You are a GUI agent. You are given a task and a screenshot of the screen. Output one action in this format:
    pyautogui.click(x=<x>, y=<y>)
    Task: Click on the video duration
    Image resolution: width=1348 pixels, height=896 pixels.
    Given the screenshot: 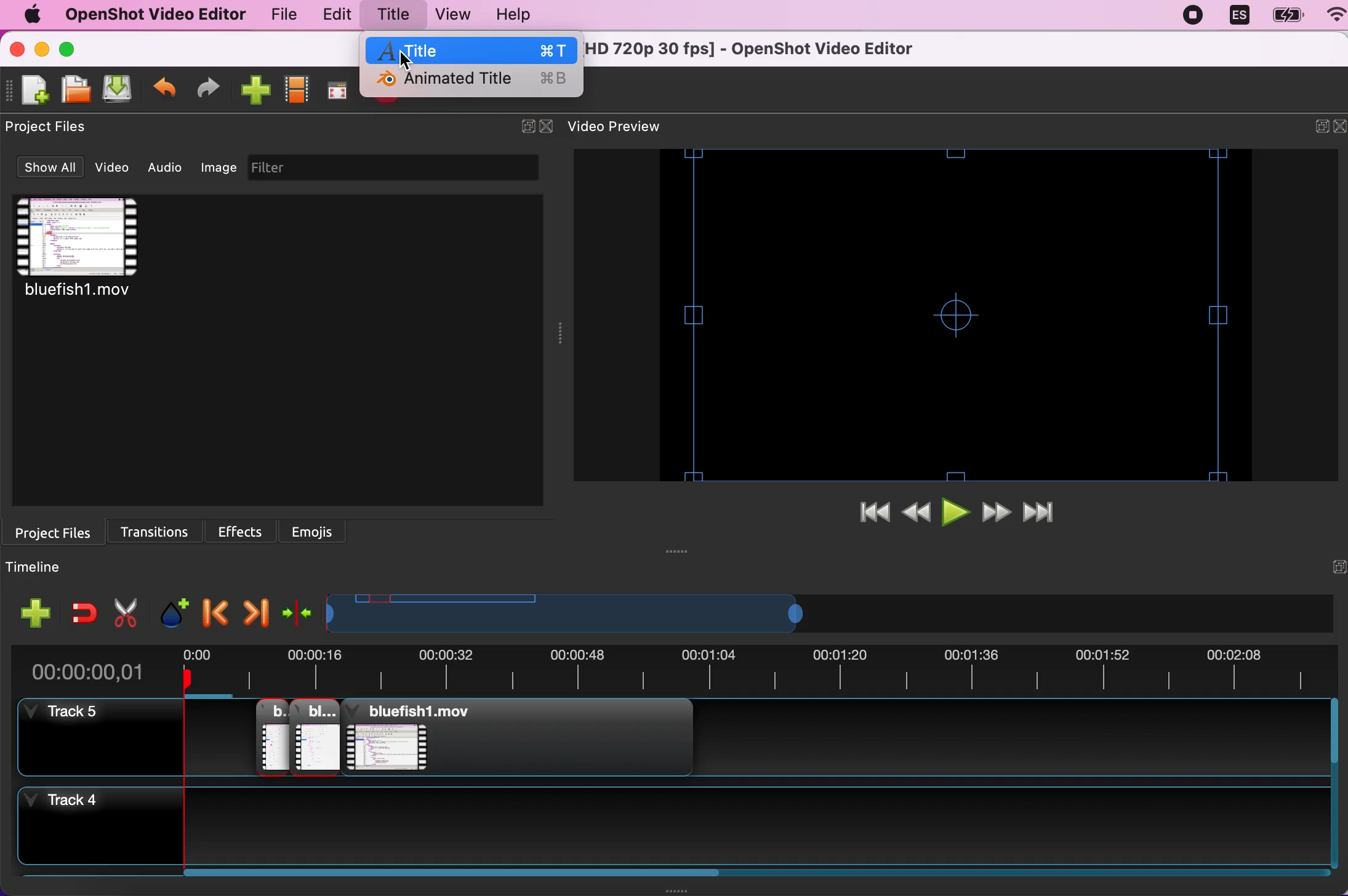 What is the action you would take?
    pyautogui.click(x=758, y=673)
    